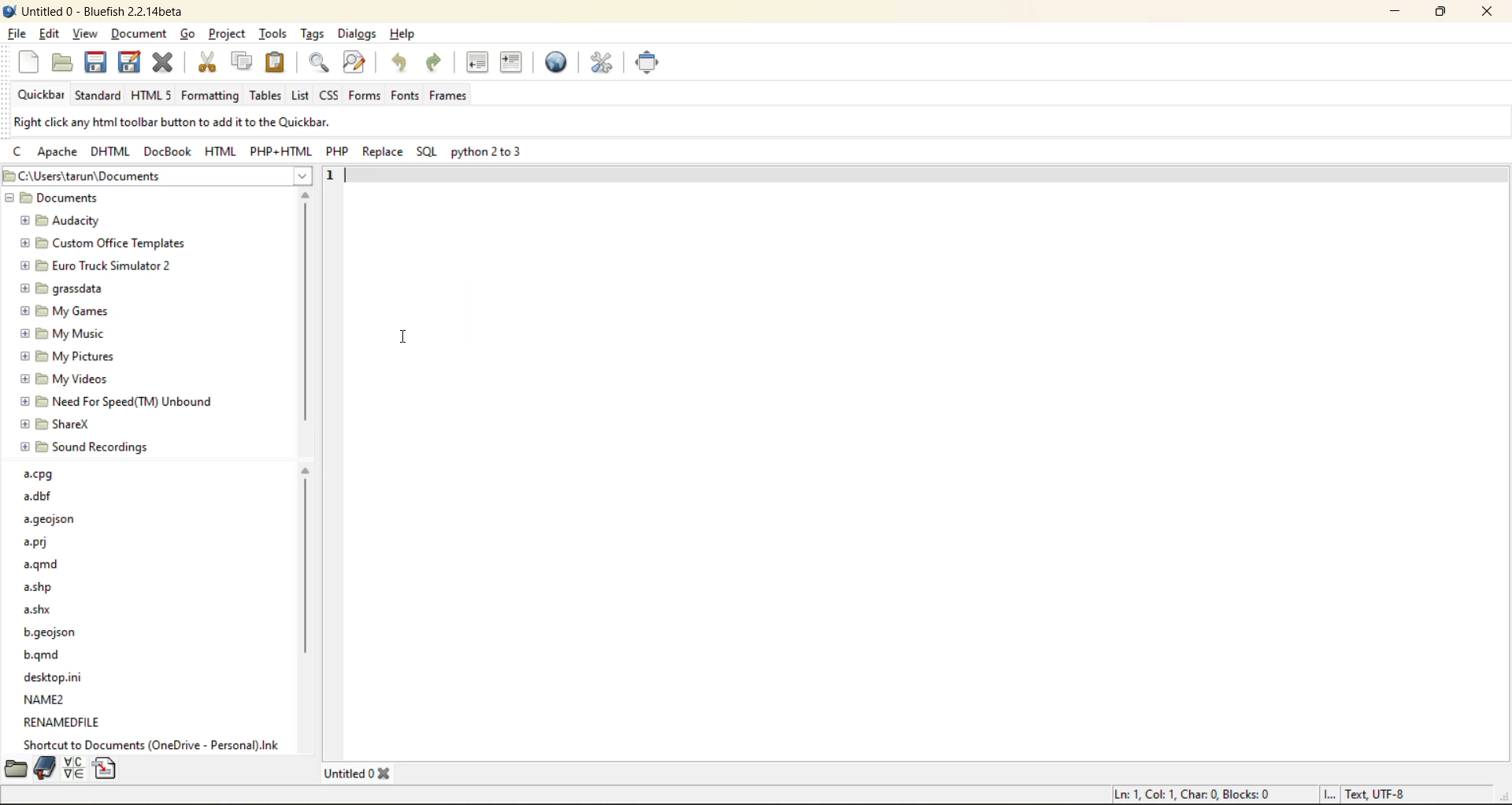 The height and width of the screenshot is (805, 1512). What do you see at coordinates (60, 222) in the screenshot?
I see `audacity` at bounding box center [60, 222].